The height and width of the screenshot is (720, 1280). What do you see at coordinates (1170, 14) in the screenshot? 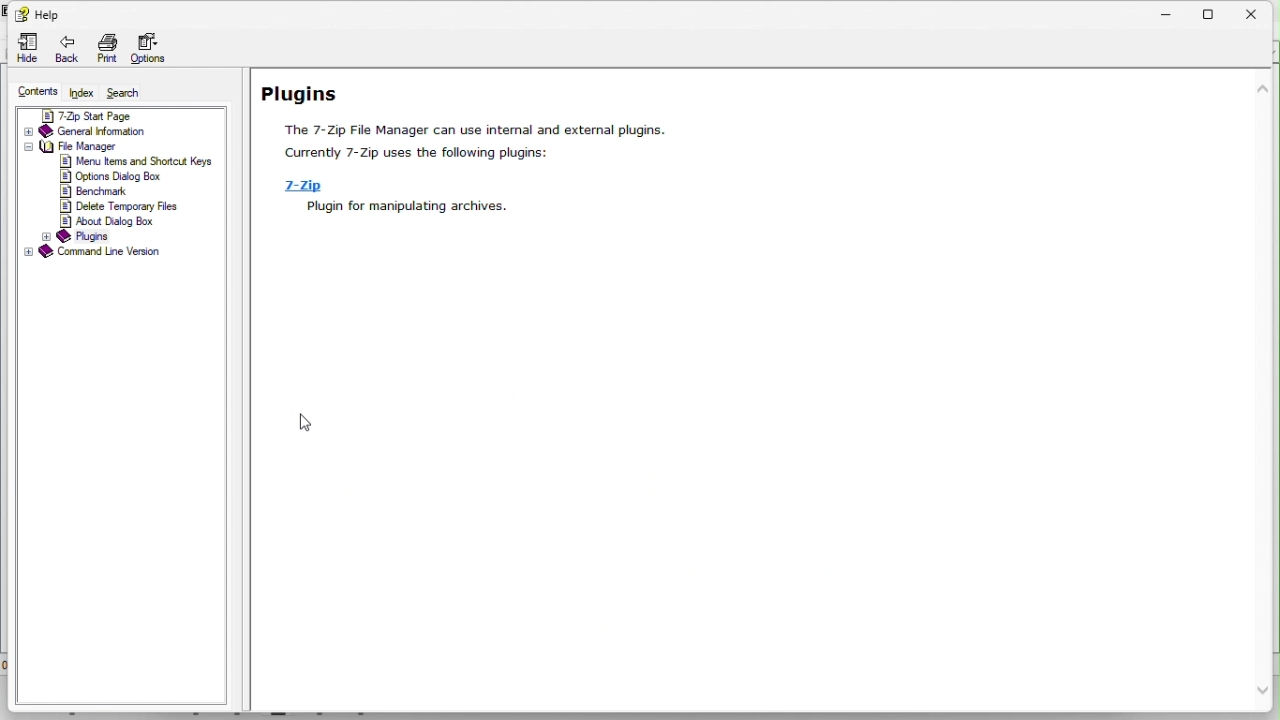
I see `Minimize` at bounding box center [1170, 14].